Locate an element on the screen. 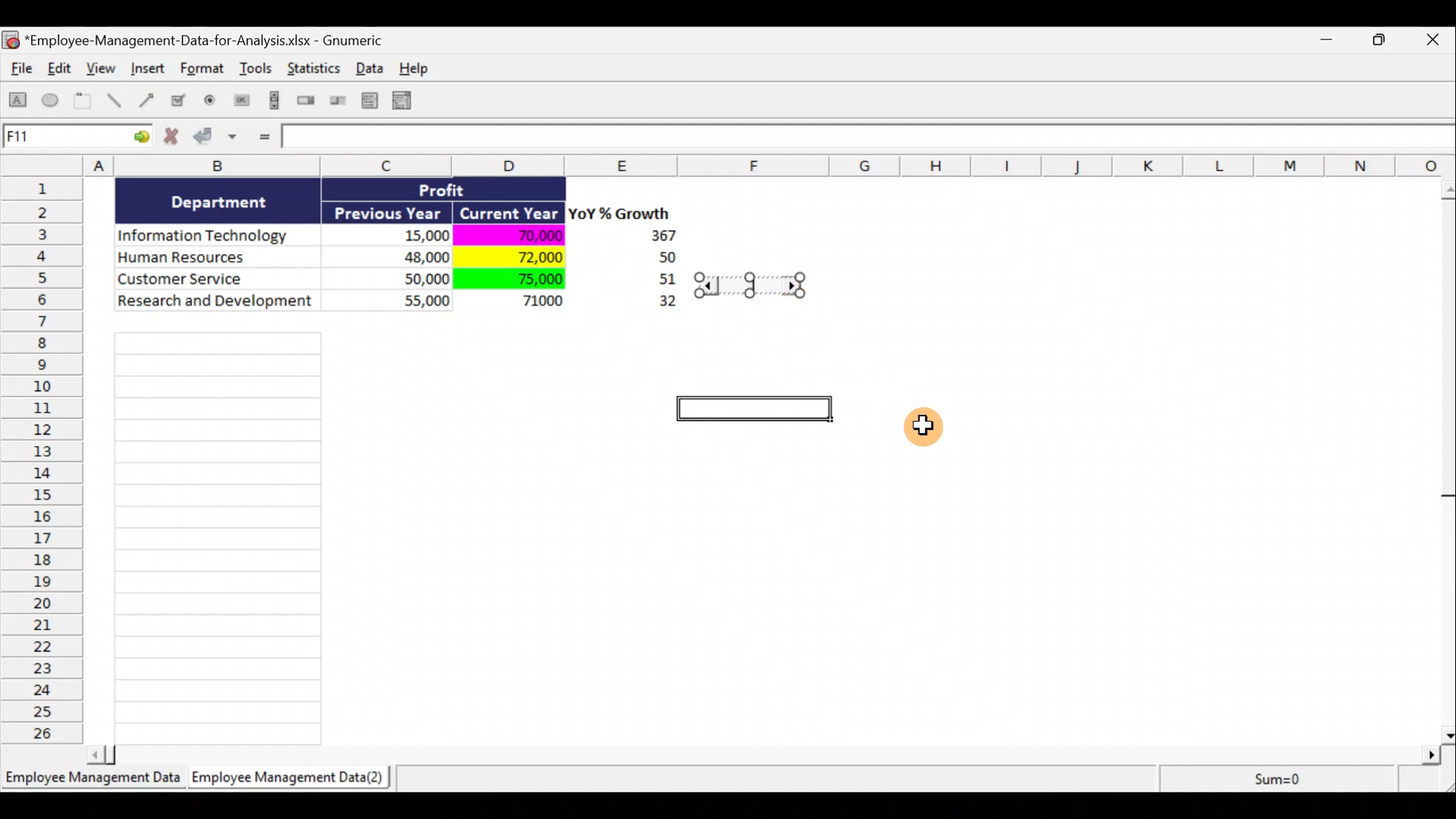  Sheet 2 is located at coordinates (292, 781).